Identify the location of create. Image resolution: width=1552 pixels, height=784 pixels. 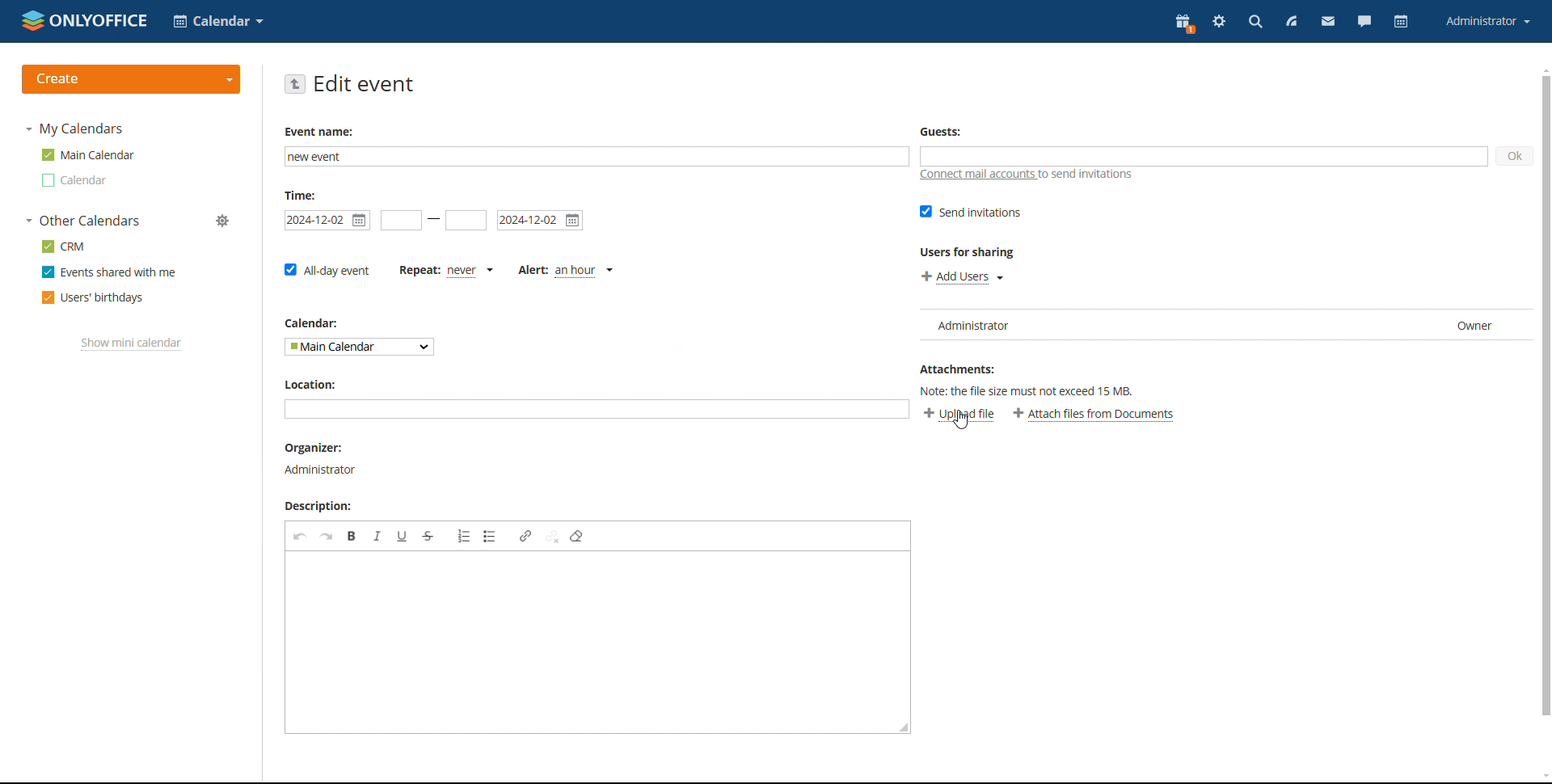
(131, 80).